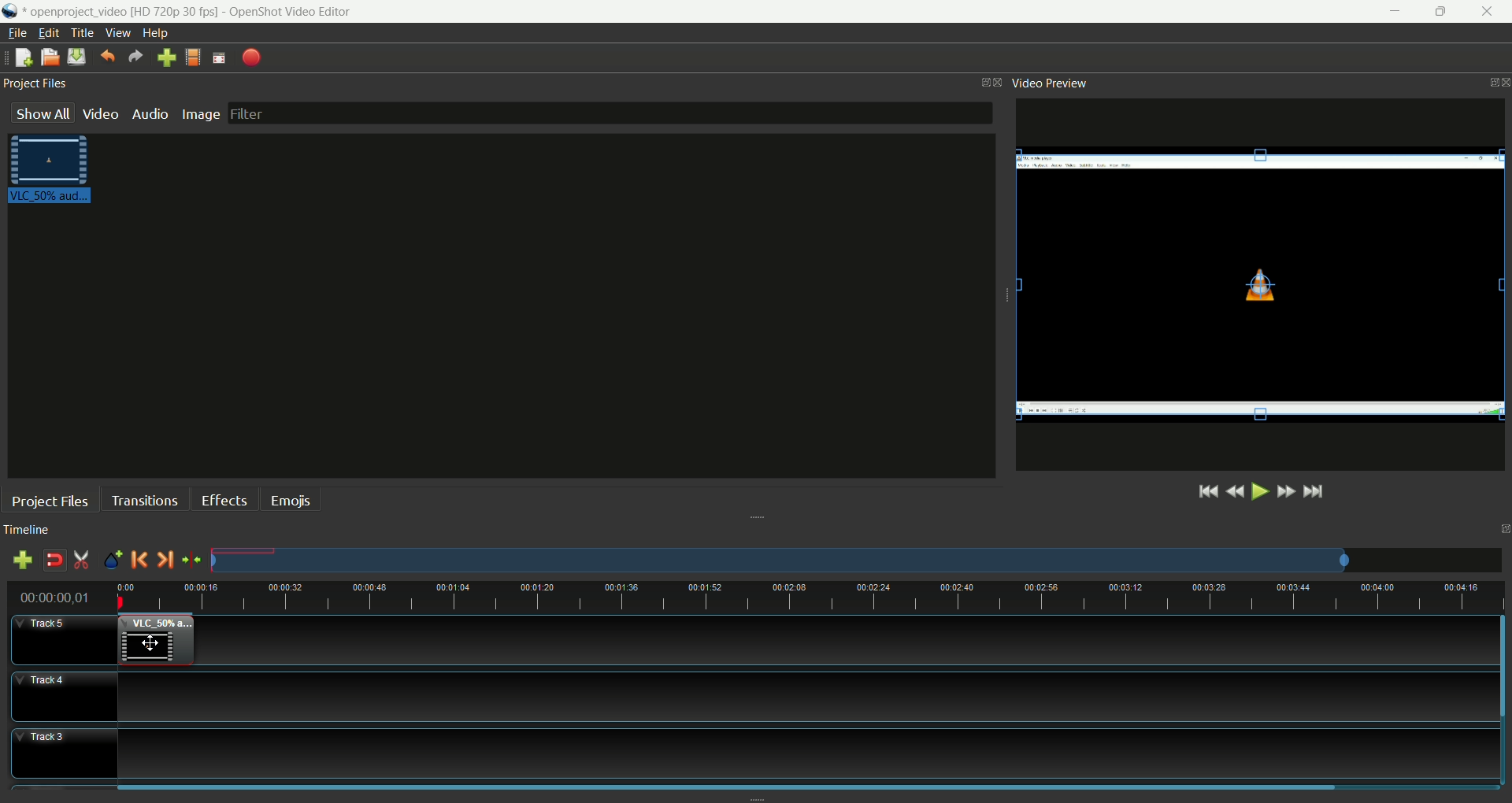 The width and height of the screenshot is (1512, 803). What do you see at coordinates (810, 598) in the screenshot?
I see `timeline` at bounding box center [810, 598].